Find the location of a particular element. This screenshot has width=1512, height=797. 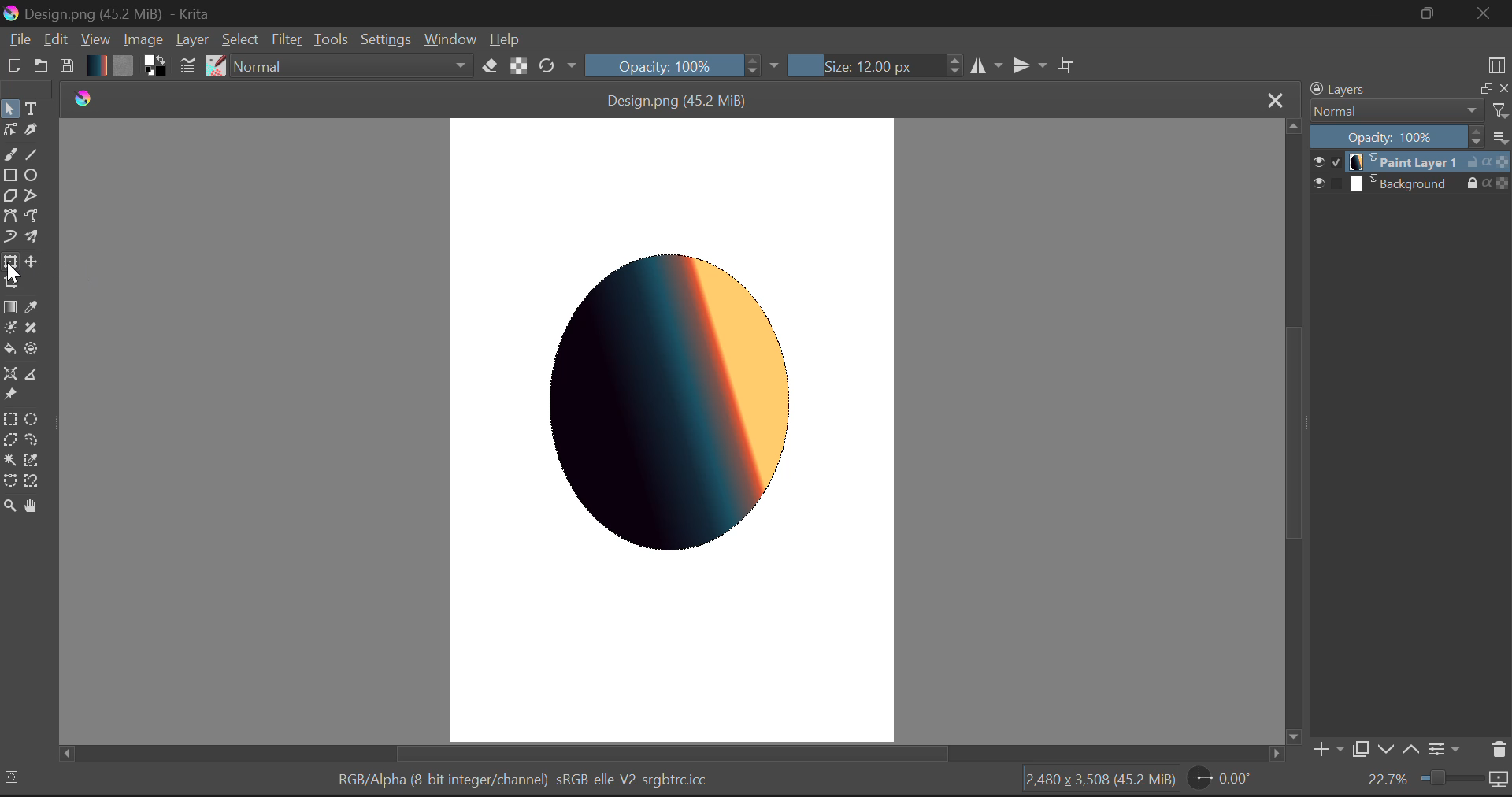

Similar color Selector is located at coordinates (32, 461).